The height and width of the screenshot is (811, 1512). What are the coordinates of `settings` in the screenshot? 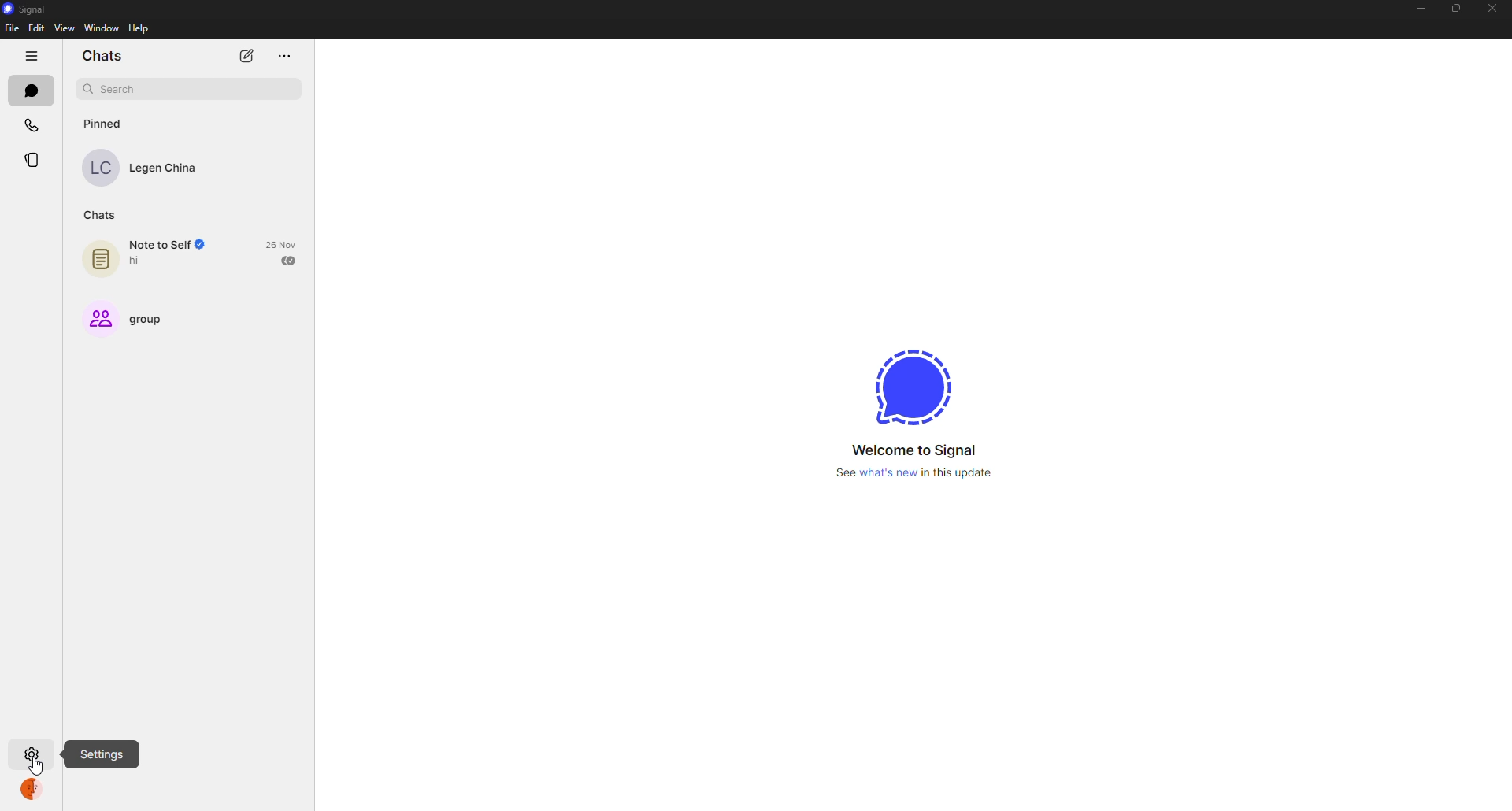 It's located at (102, 755).